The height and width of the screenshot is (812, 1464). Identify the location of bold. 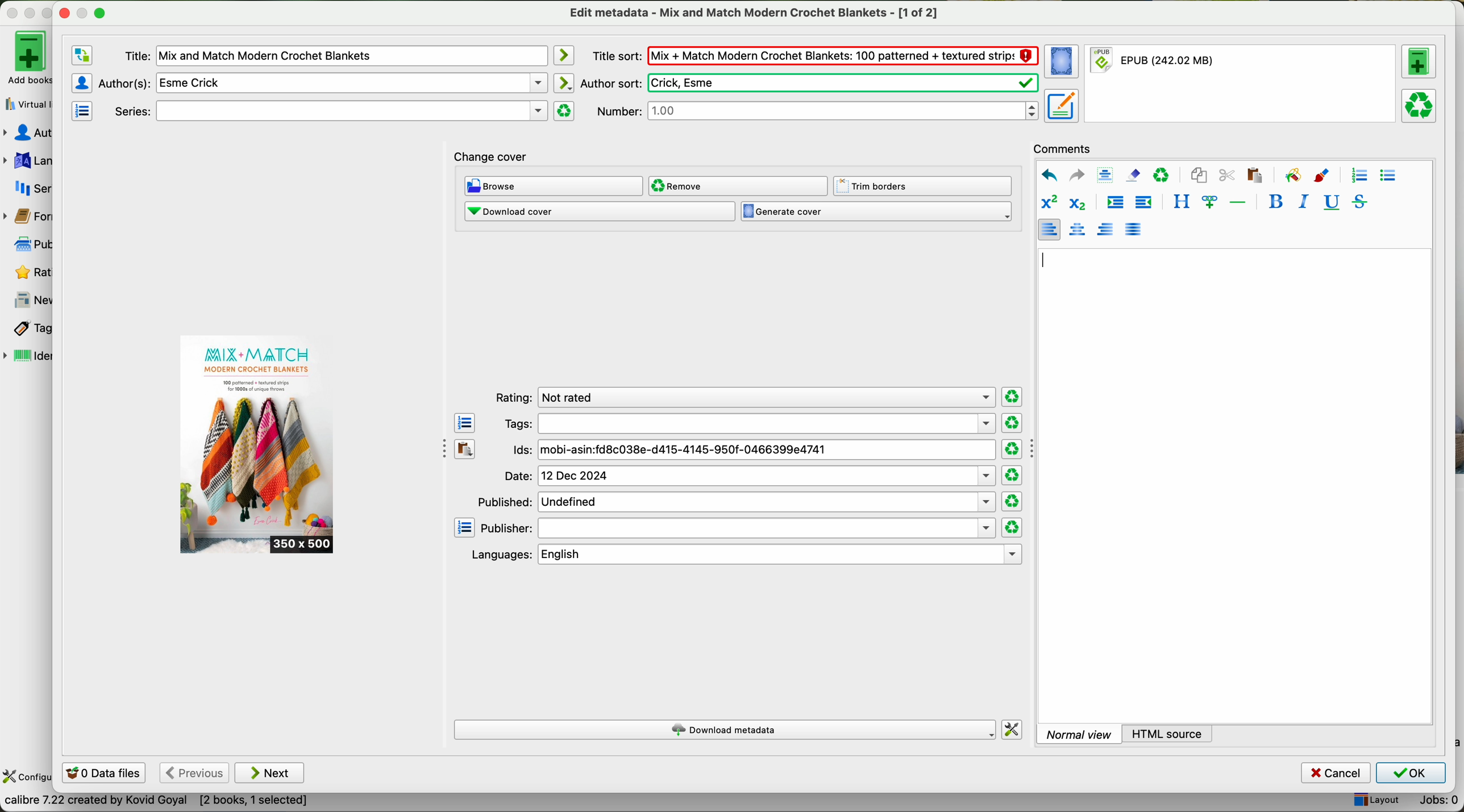
(1276, 201).